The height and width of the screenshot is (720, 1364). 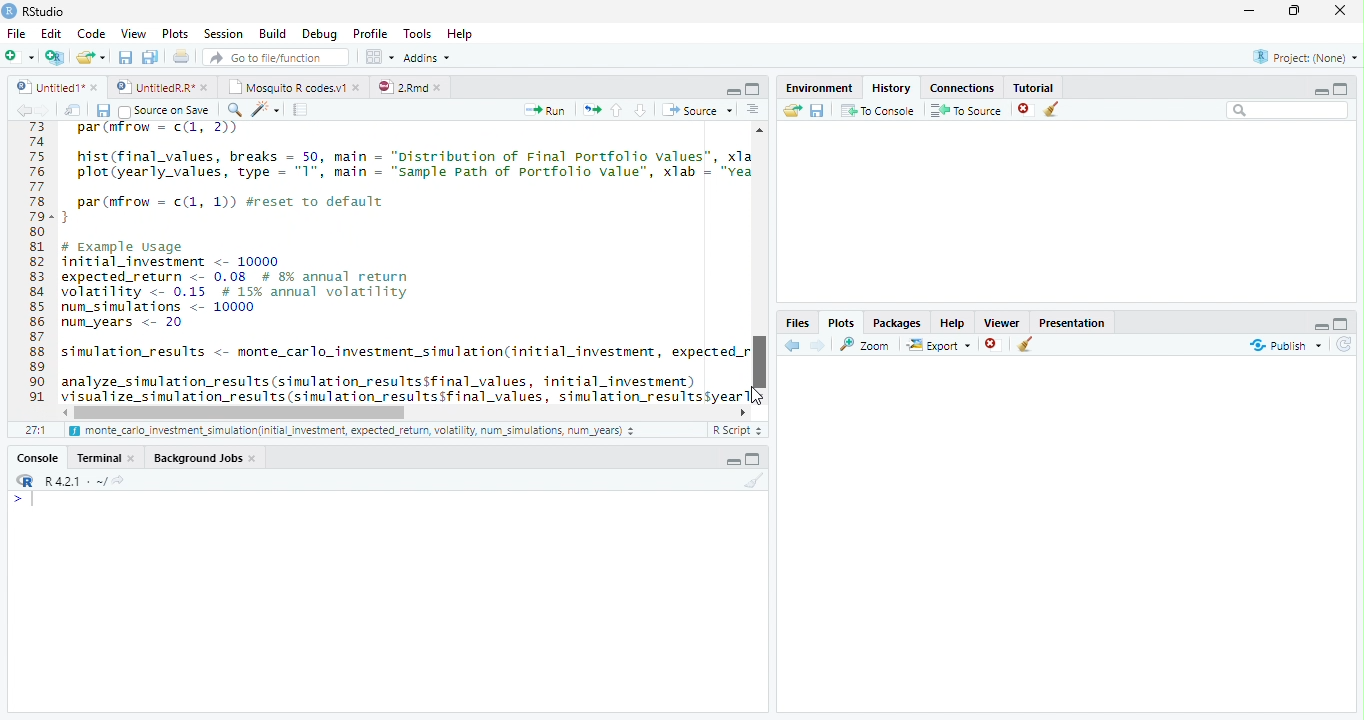 I want to click on Scroll Left, so click(x=64, y=412).